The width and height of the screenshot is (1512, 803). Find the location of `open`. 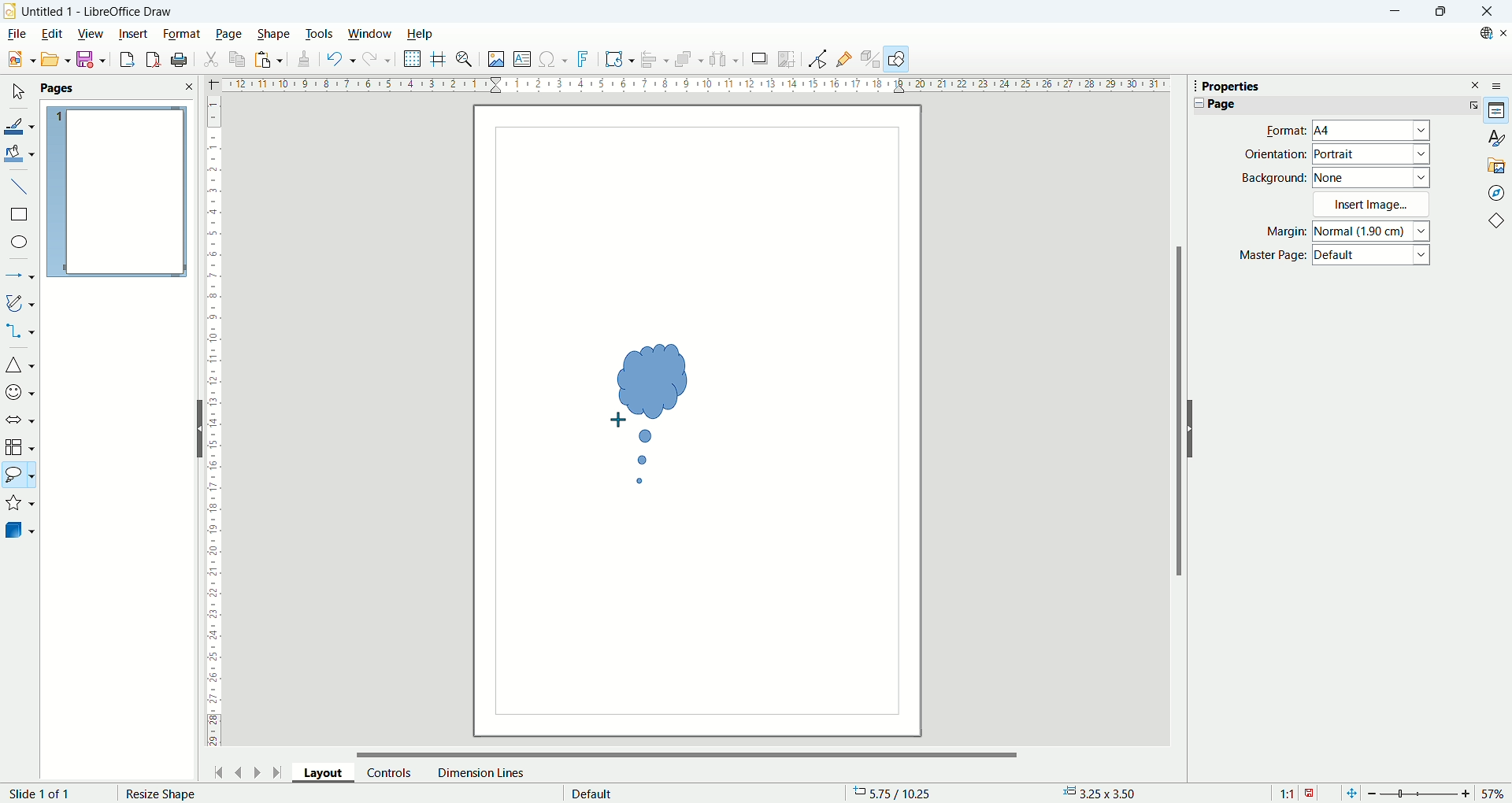

open is located at coordinates (54, 59).